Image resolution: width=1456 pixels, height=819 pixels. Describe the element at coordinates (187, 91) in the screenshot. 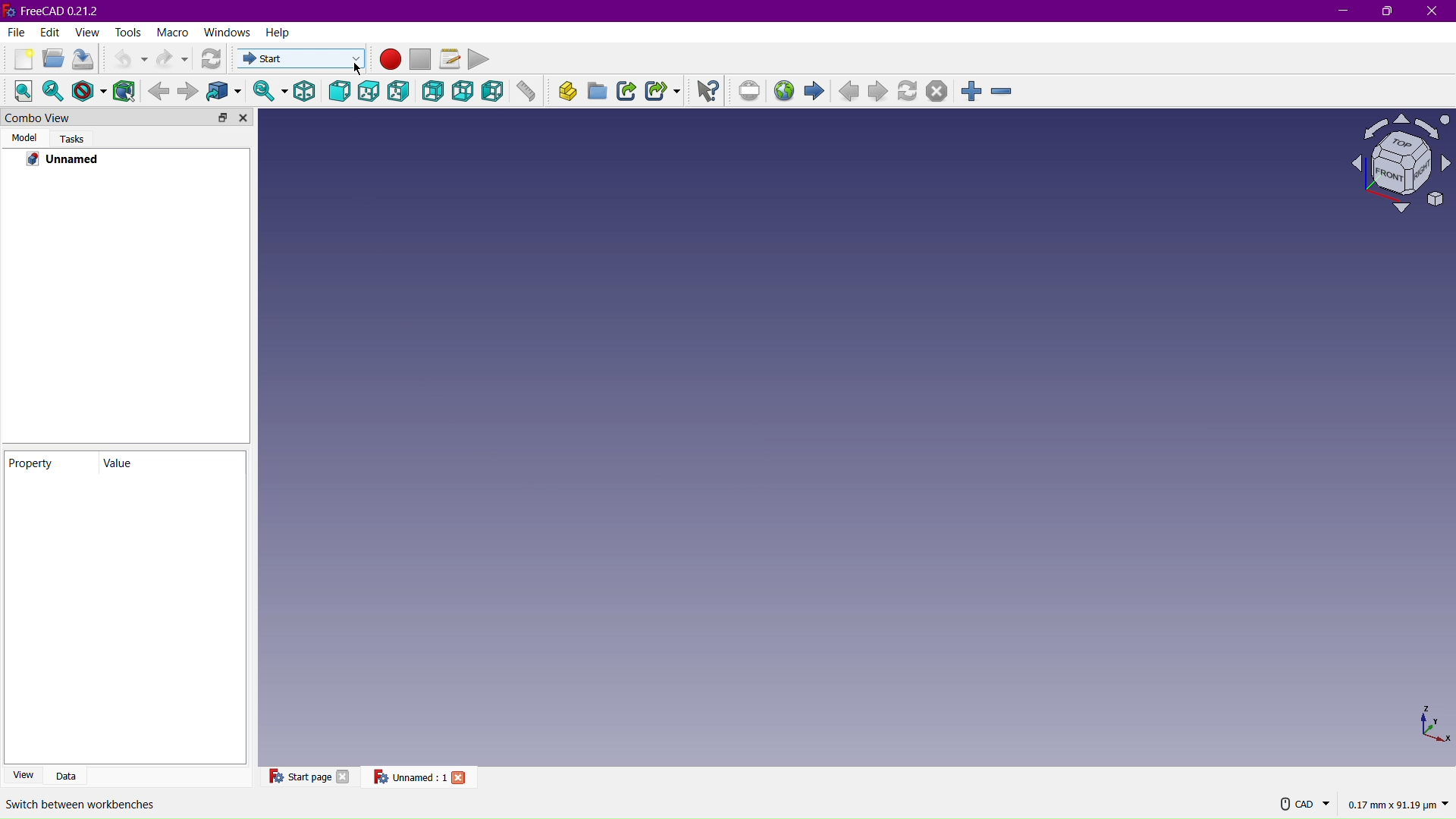

I see `Forward` at that location.